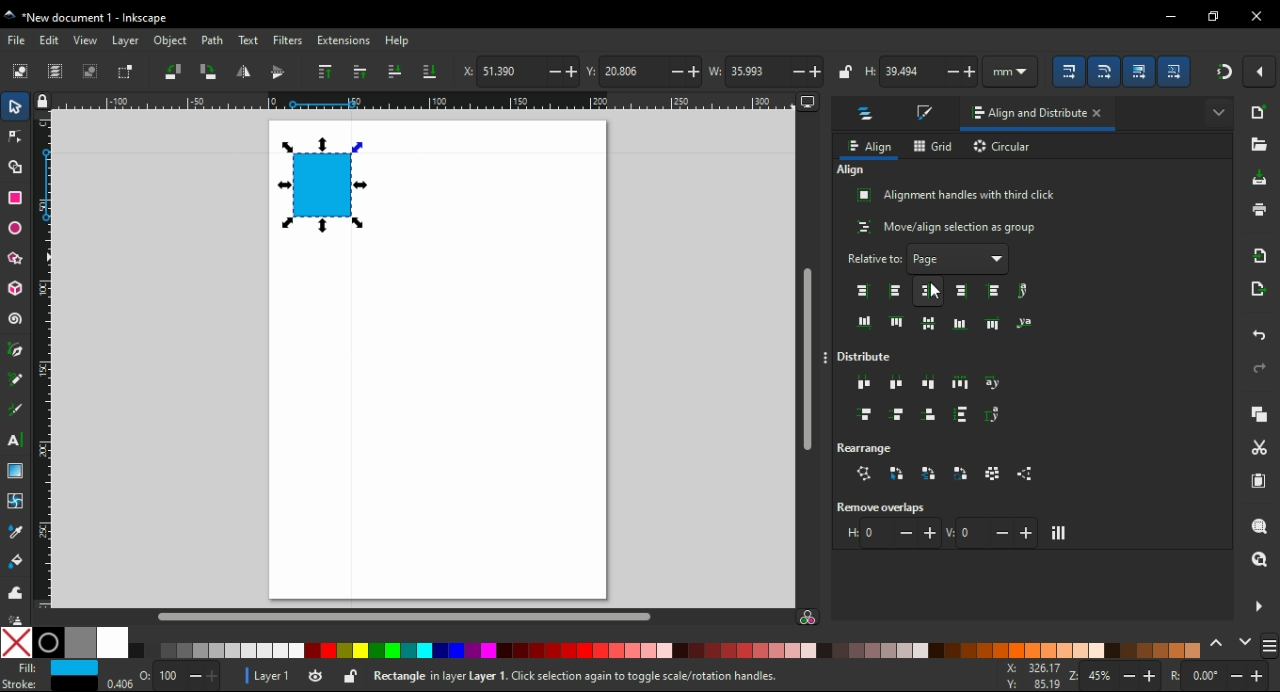 Image resolution: width=1280 pixels, height=692 pixels. What do you see at coordinates (1258, 144) in the screenshot?
I see `open file dialogue` at bounding box center [1258, 144].